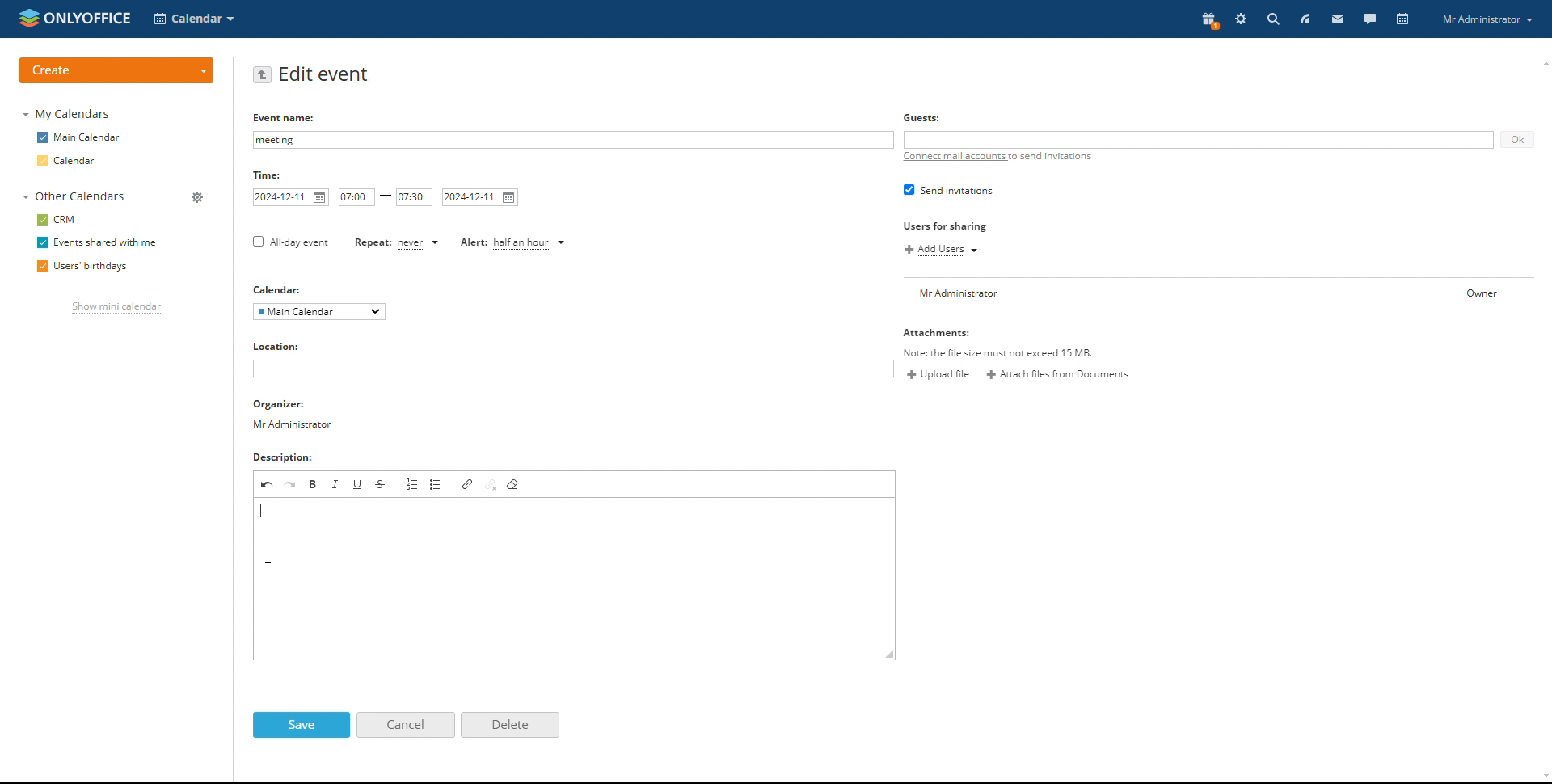  Describe the element at coordinates (1305, 19) in the screenshot. I see `feed` at that location.